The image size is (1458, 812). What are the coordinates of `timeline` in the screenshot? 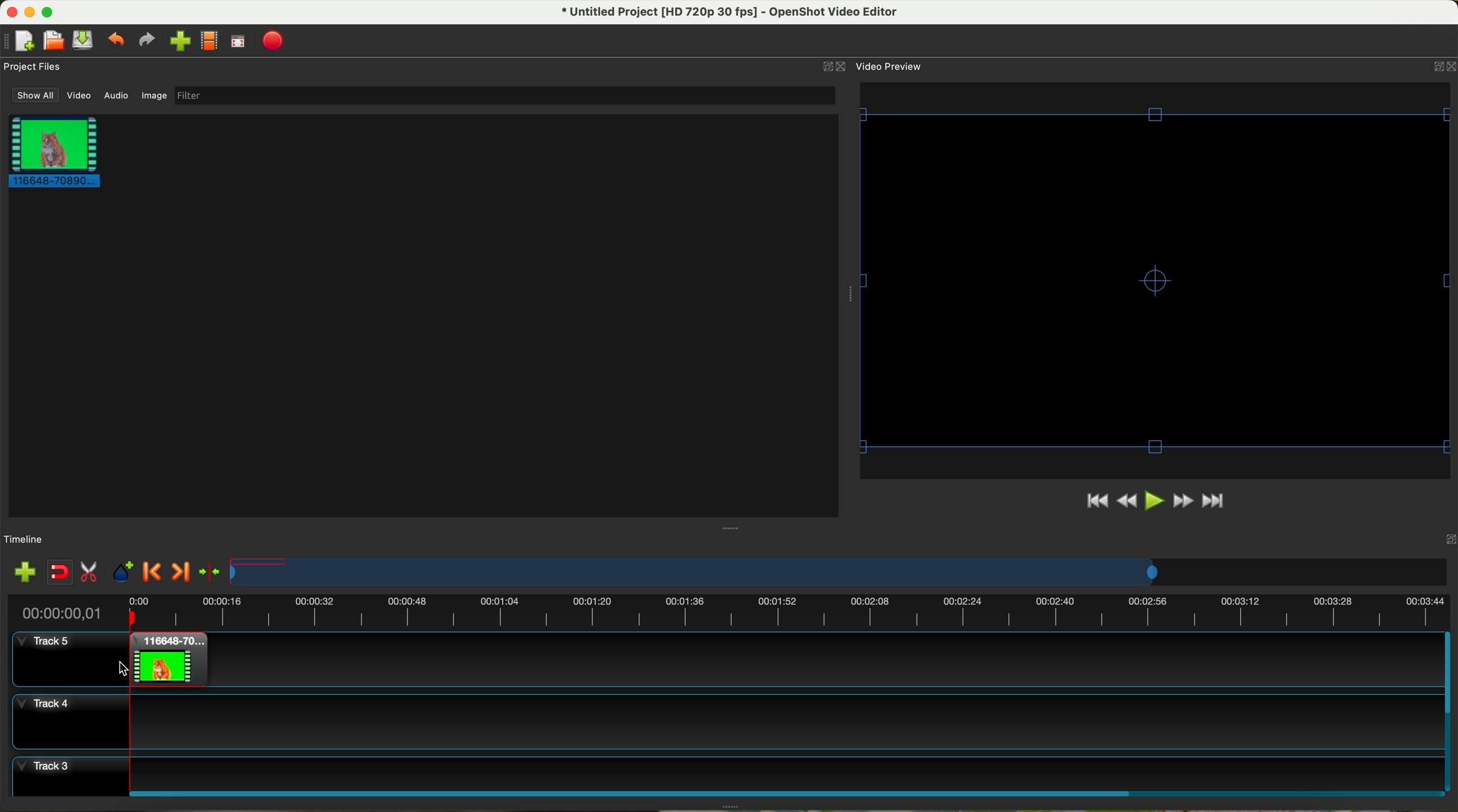 It's located at (727, 610).